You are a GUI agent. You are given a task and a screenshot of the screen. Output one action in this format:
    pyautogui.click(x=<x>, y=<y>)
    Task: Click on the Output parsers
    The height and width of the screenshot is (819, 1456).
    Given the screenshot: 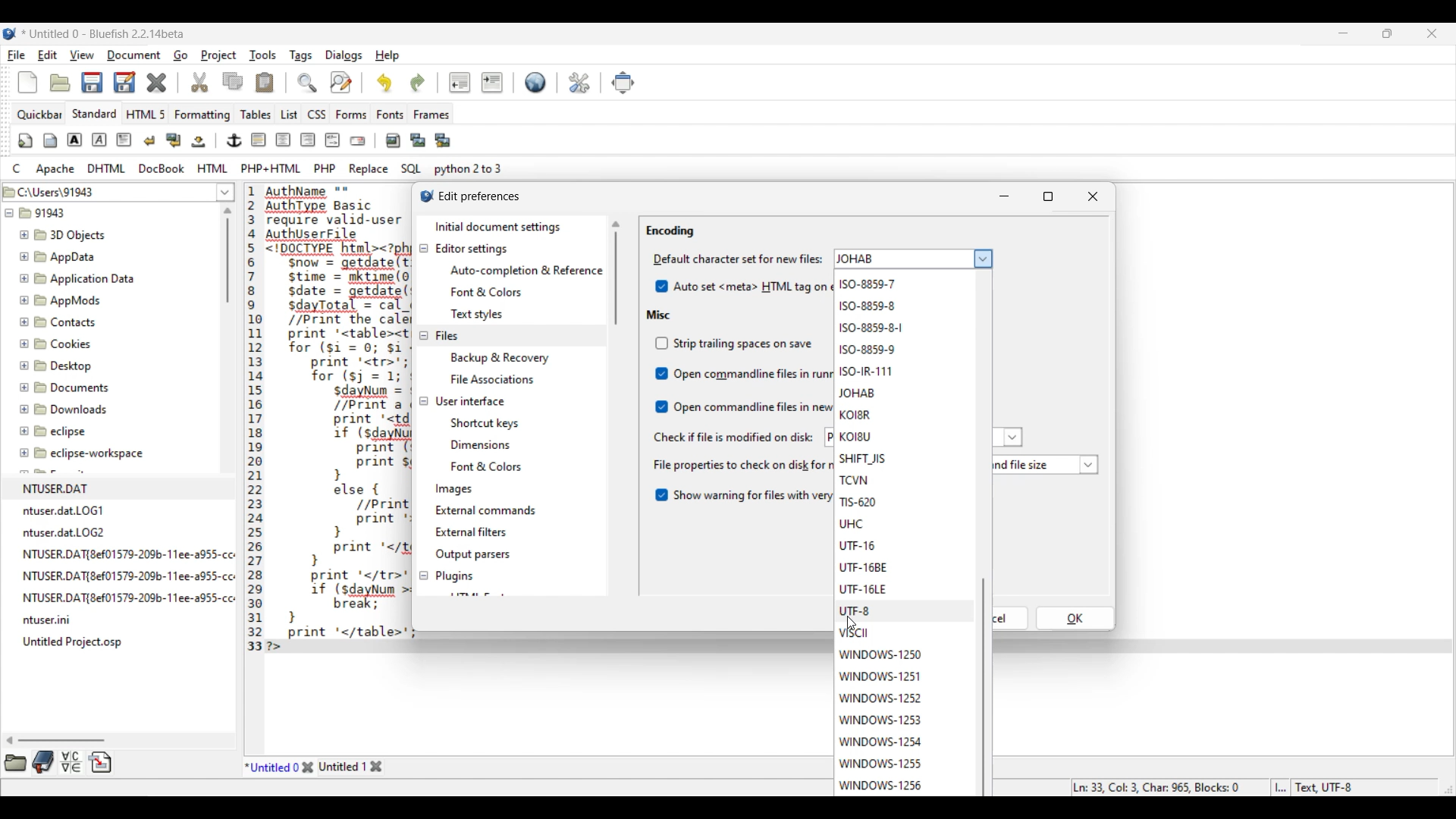 What is the action you would take?
    pyautogui.click(x=474, y=554)
    